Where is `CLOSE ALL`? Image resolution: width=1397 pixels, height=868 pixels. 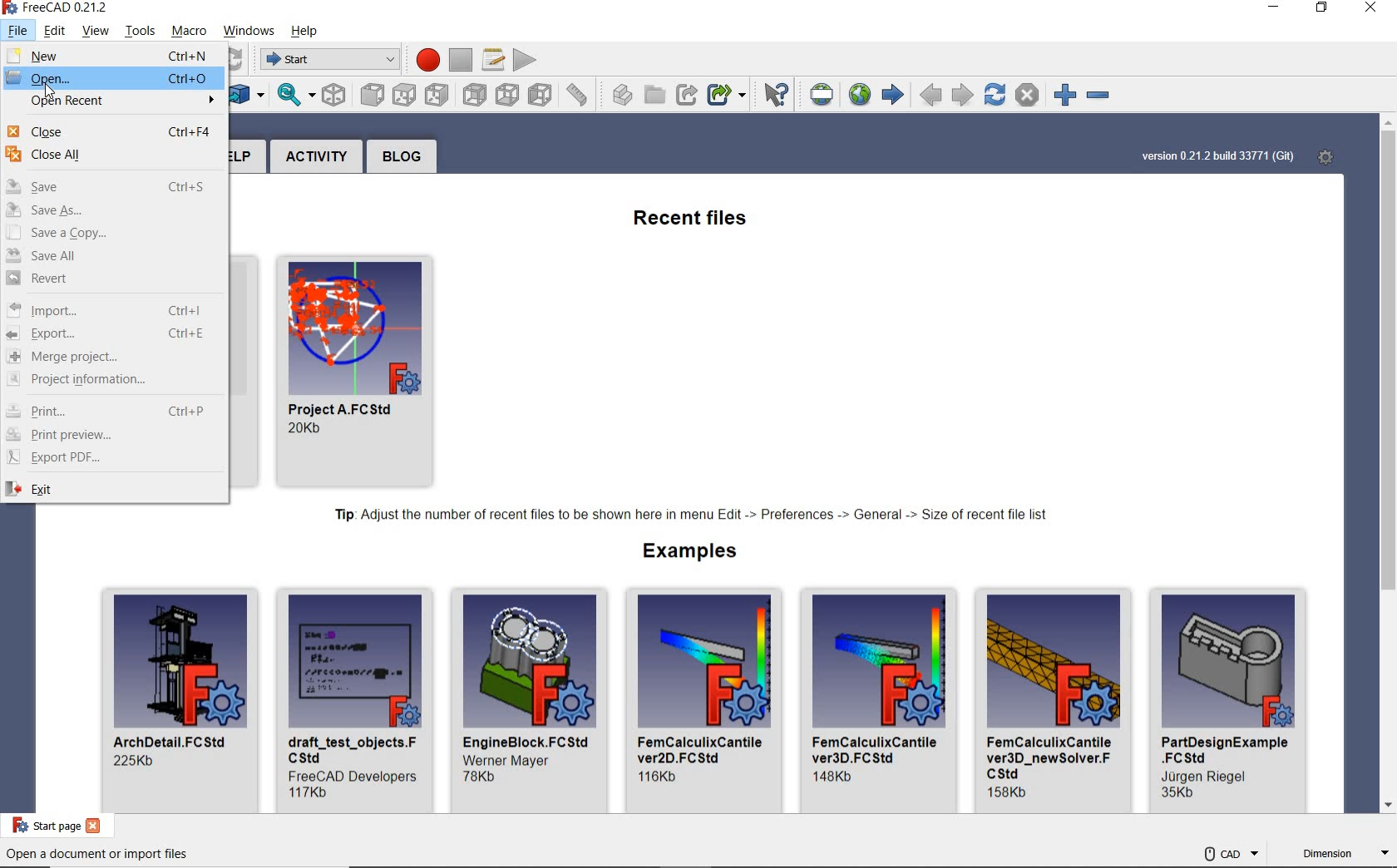
CLOSE ALL is located at coordinates (113, 160).